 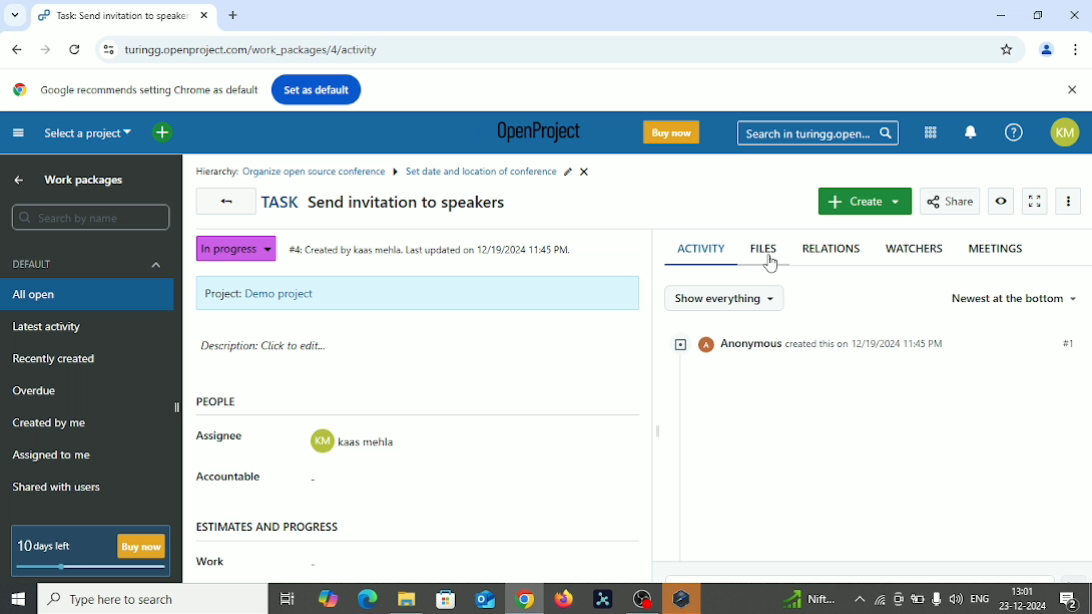 What do you see at coordinates (1007, 50) in the screenshot?
I see `Bookmark this tab` at bounding box center [1007, 50].